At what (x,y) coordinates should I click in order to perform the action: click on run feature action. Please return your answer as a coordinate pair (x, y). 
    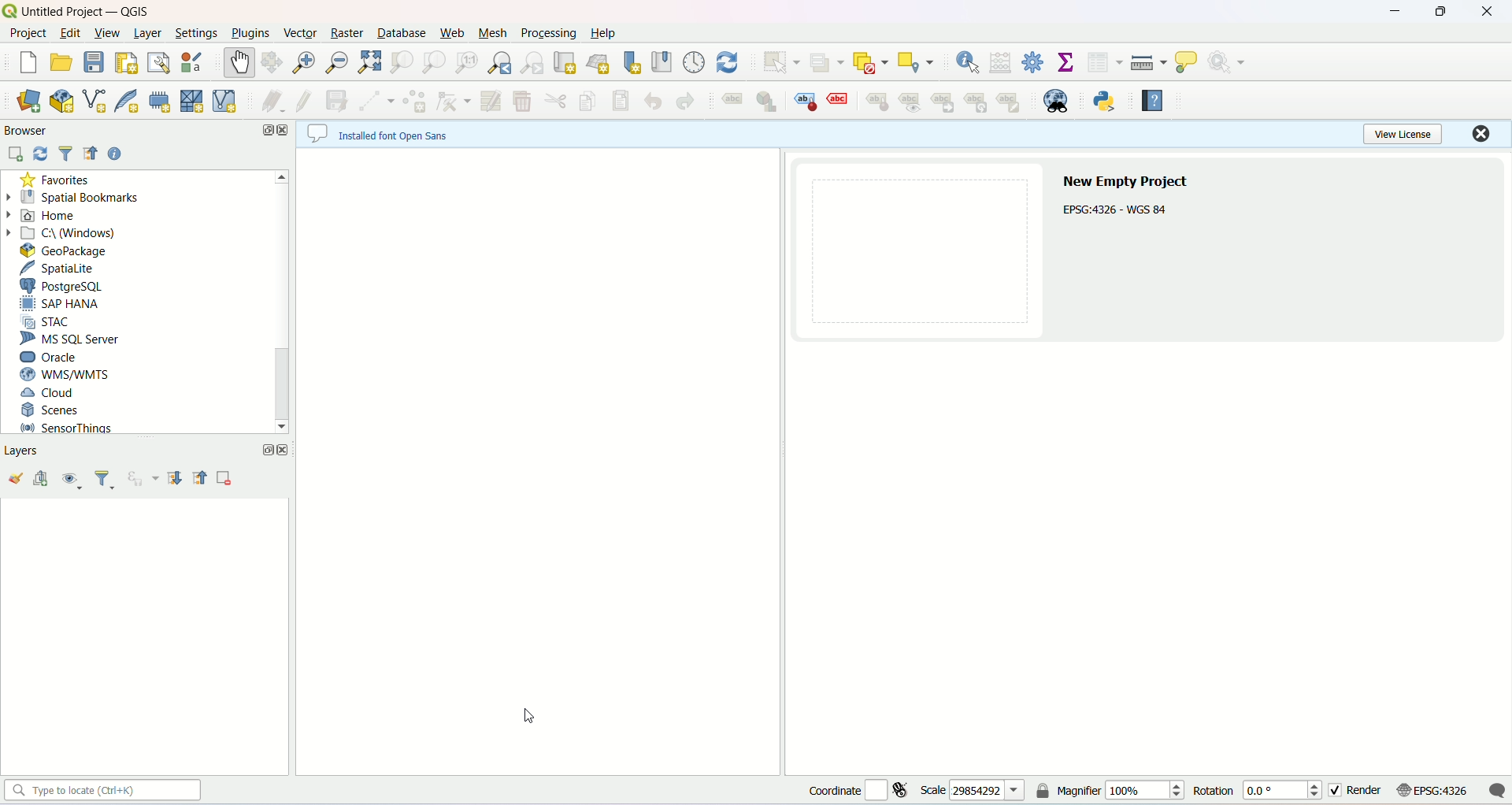
    Looking at the image, I should click on (1226, 61).